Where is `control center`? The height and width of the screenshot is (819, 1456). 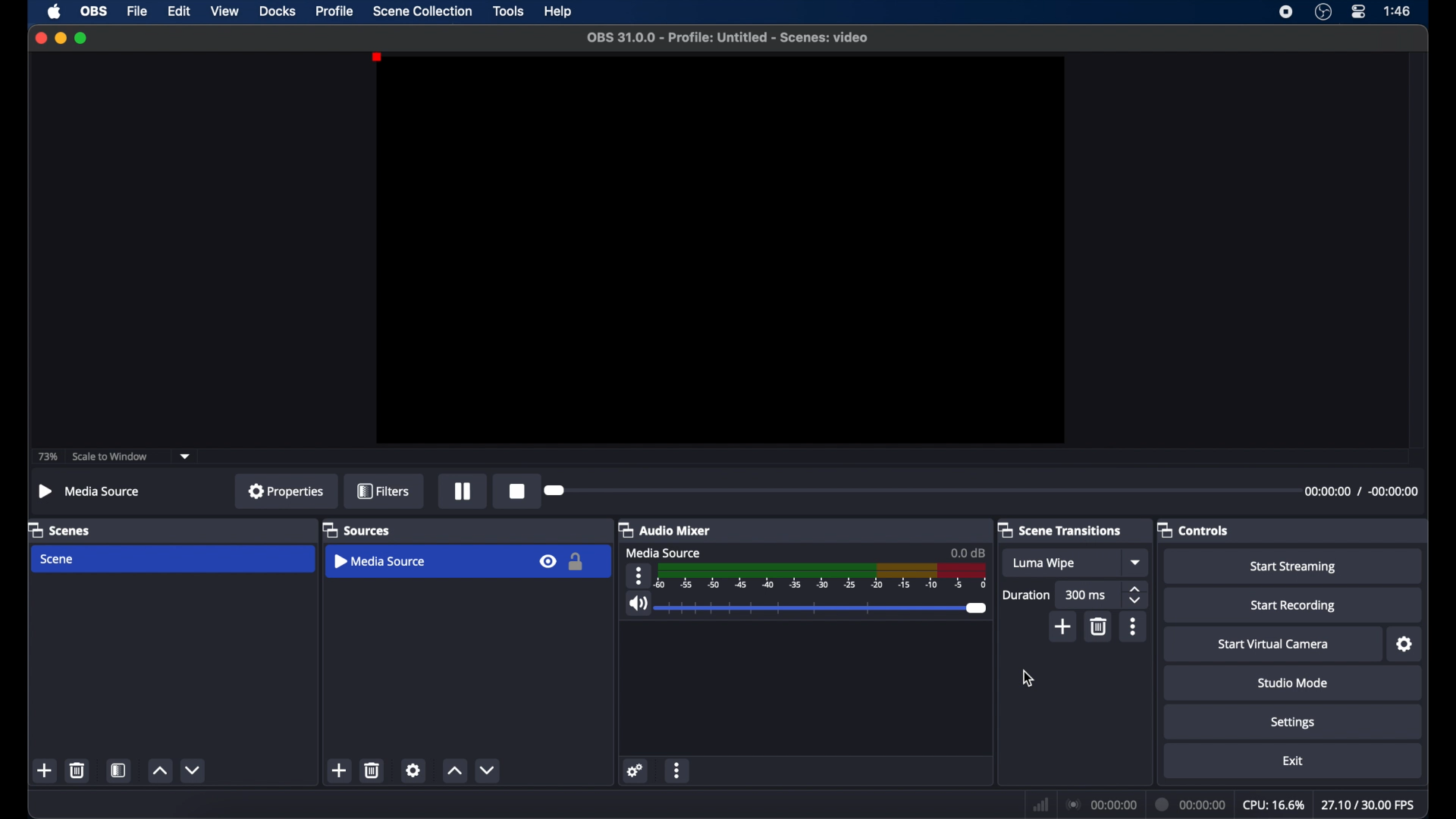
control center is located at coordinates (1359, 11).